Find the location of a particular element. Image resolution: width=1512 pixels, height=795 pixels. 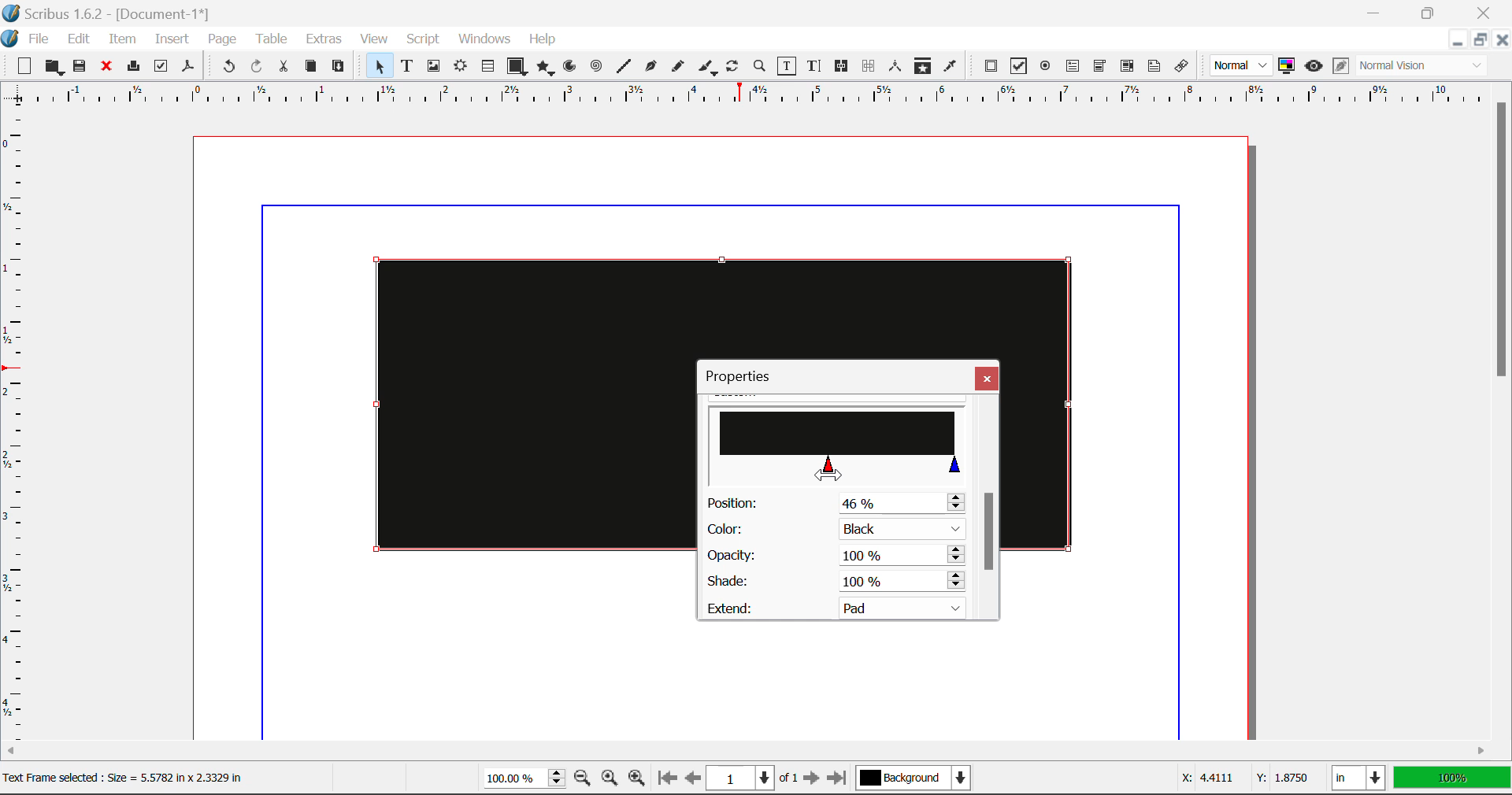

Discard is located at coordinates (106, 68).